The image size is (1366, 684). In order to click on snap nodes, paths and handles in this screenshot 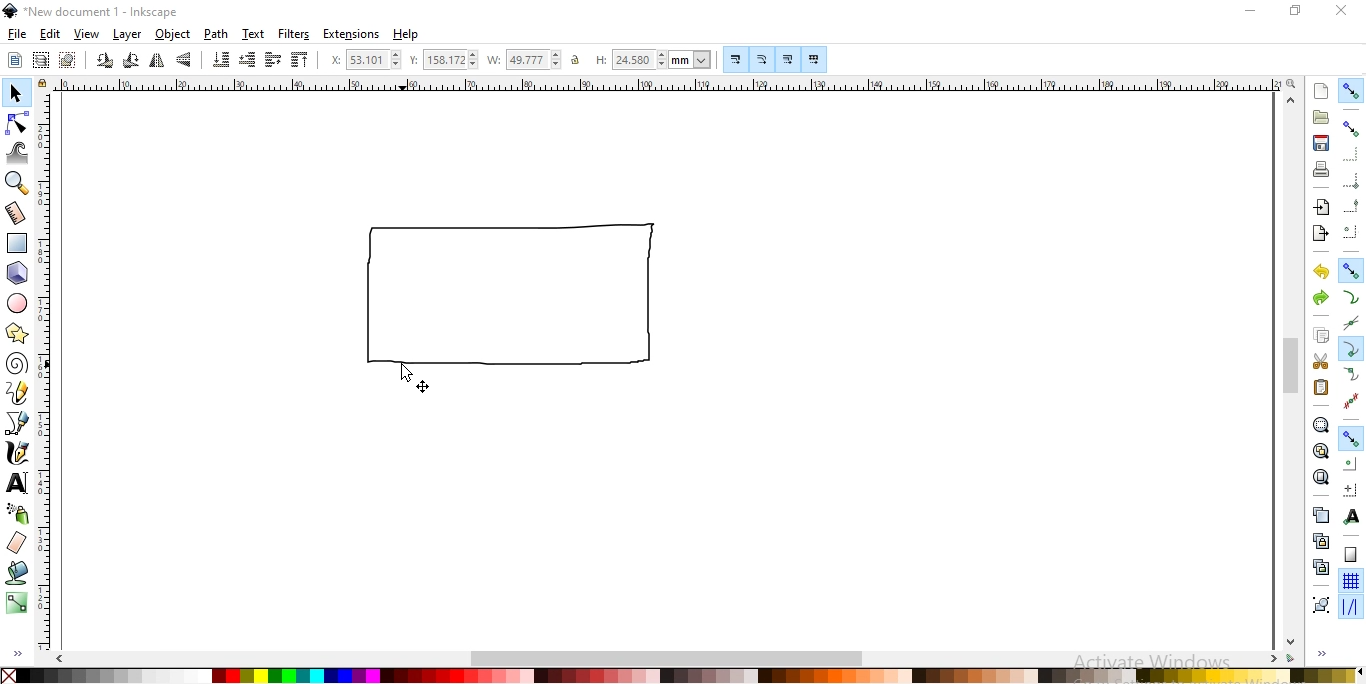, I will do `click(1351, 271)`.